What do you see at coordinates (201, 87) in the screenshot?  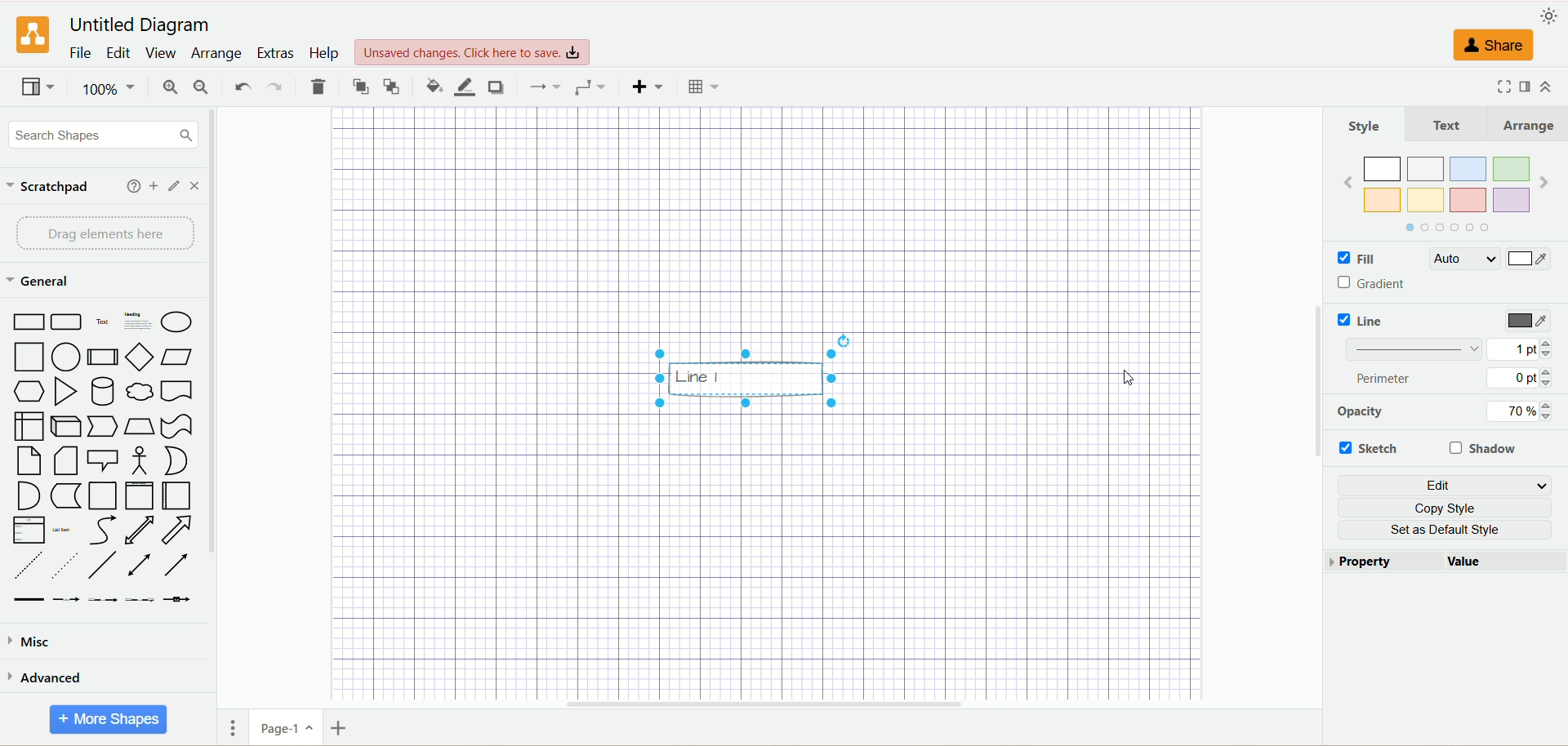 I see `zoom out` at bounding box center [201, 87].